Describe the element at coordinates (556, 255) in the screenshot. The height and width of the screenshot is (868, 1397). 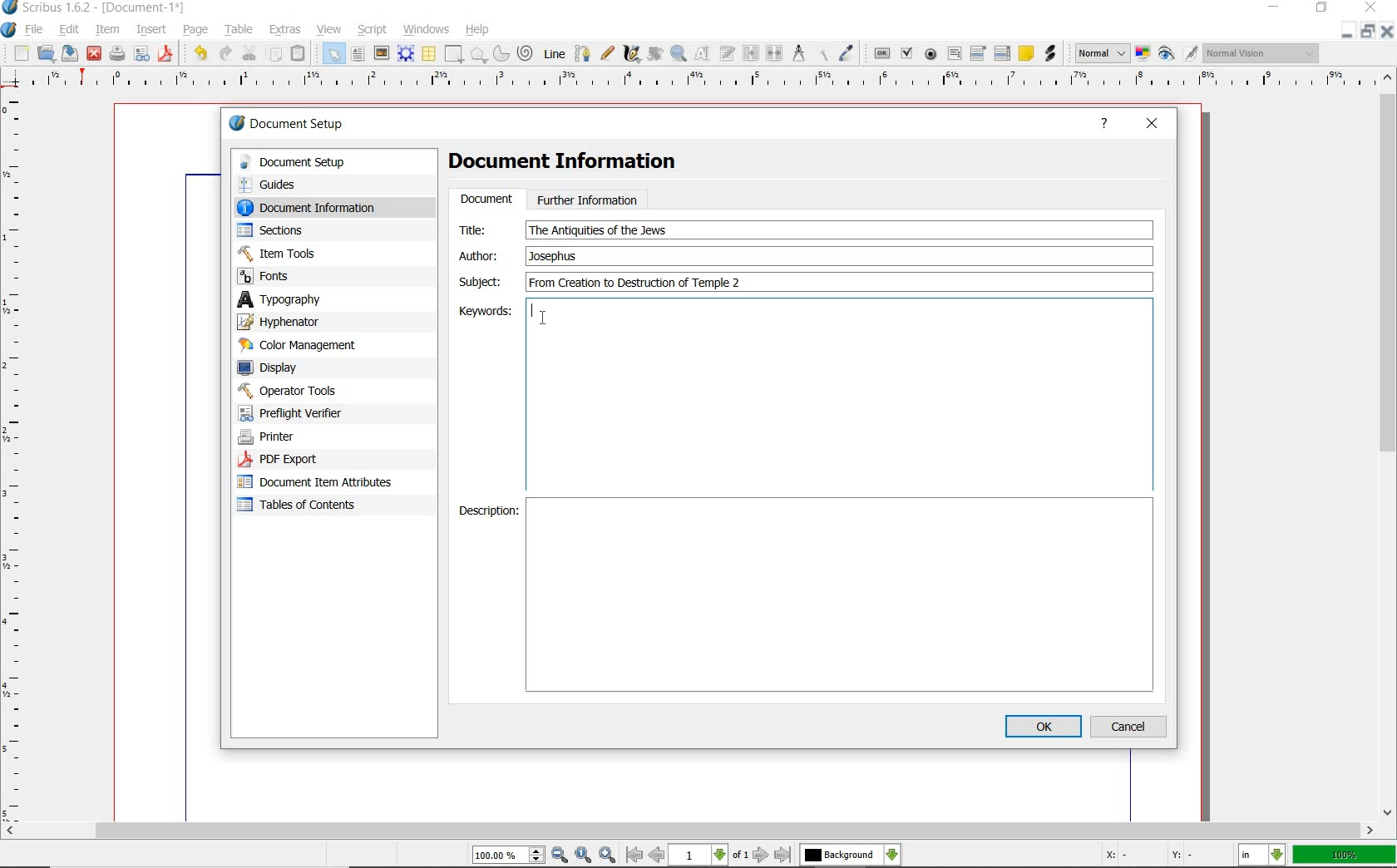
I see `Author Text` at that location.